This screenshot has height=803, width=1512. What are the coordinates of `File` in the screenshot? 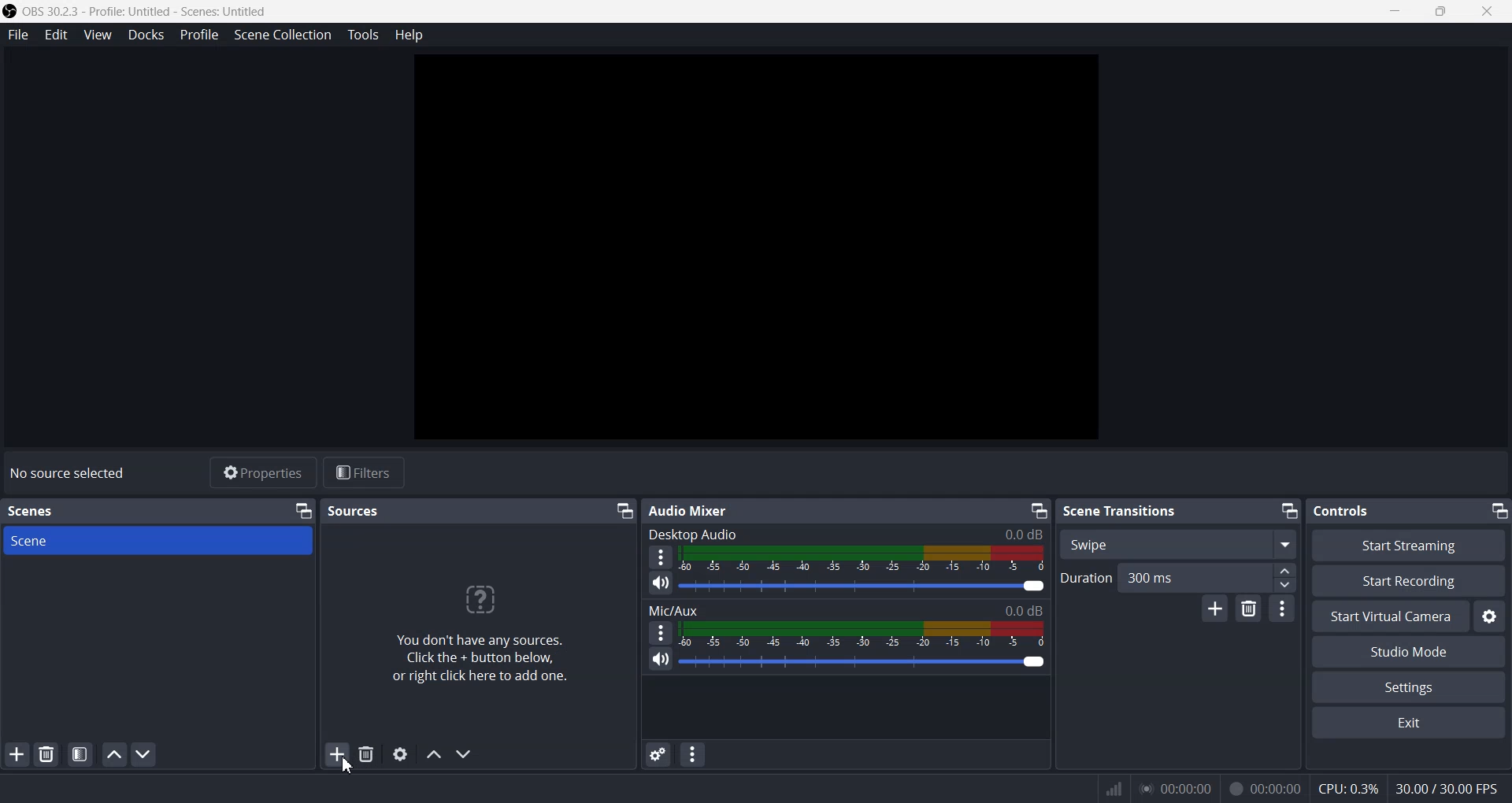 It's located at (18, 35).